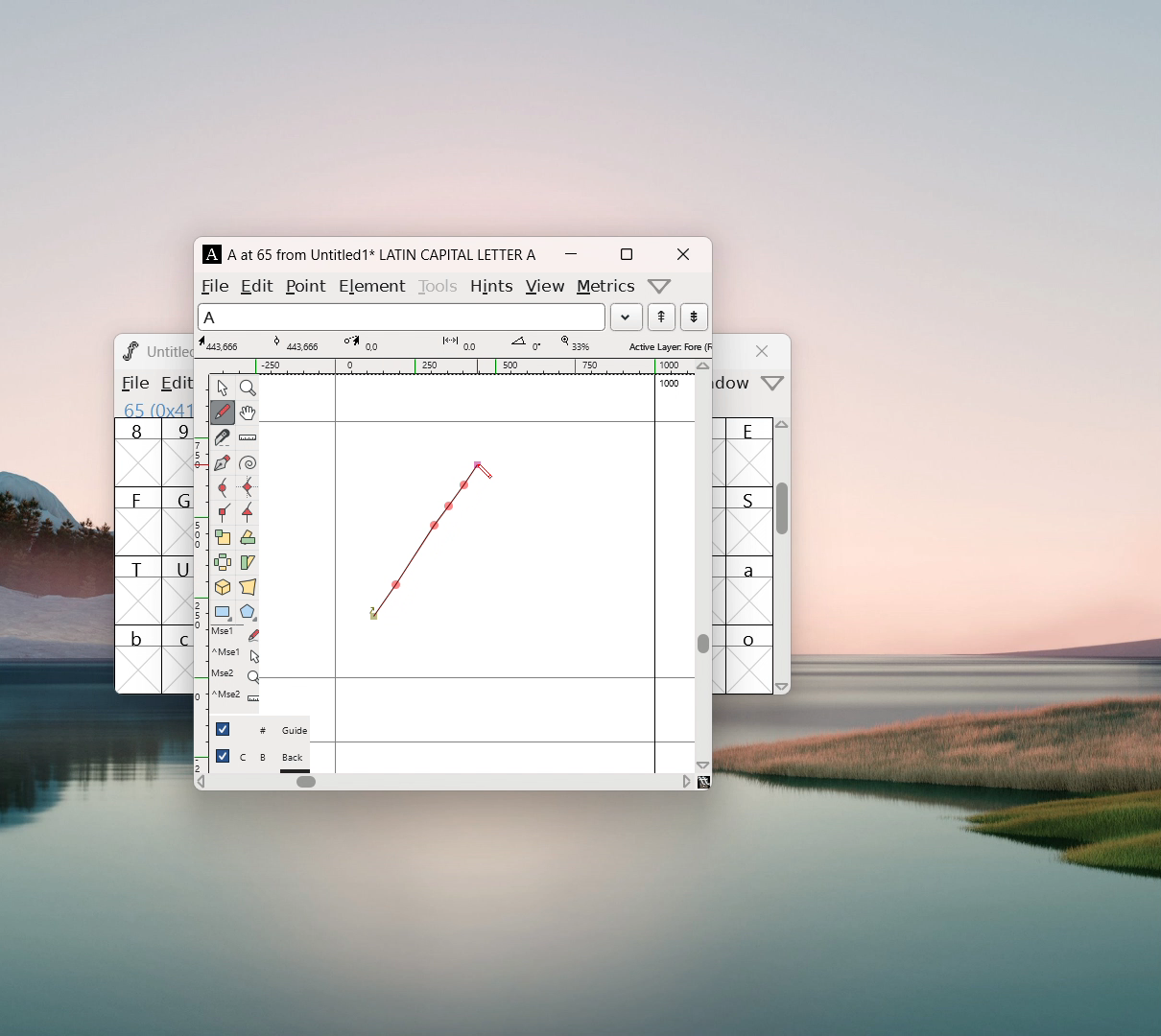 The image size is (1161, 1036). I want to click on selected layer, so click(667, 345).